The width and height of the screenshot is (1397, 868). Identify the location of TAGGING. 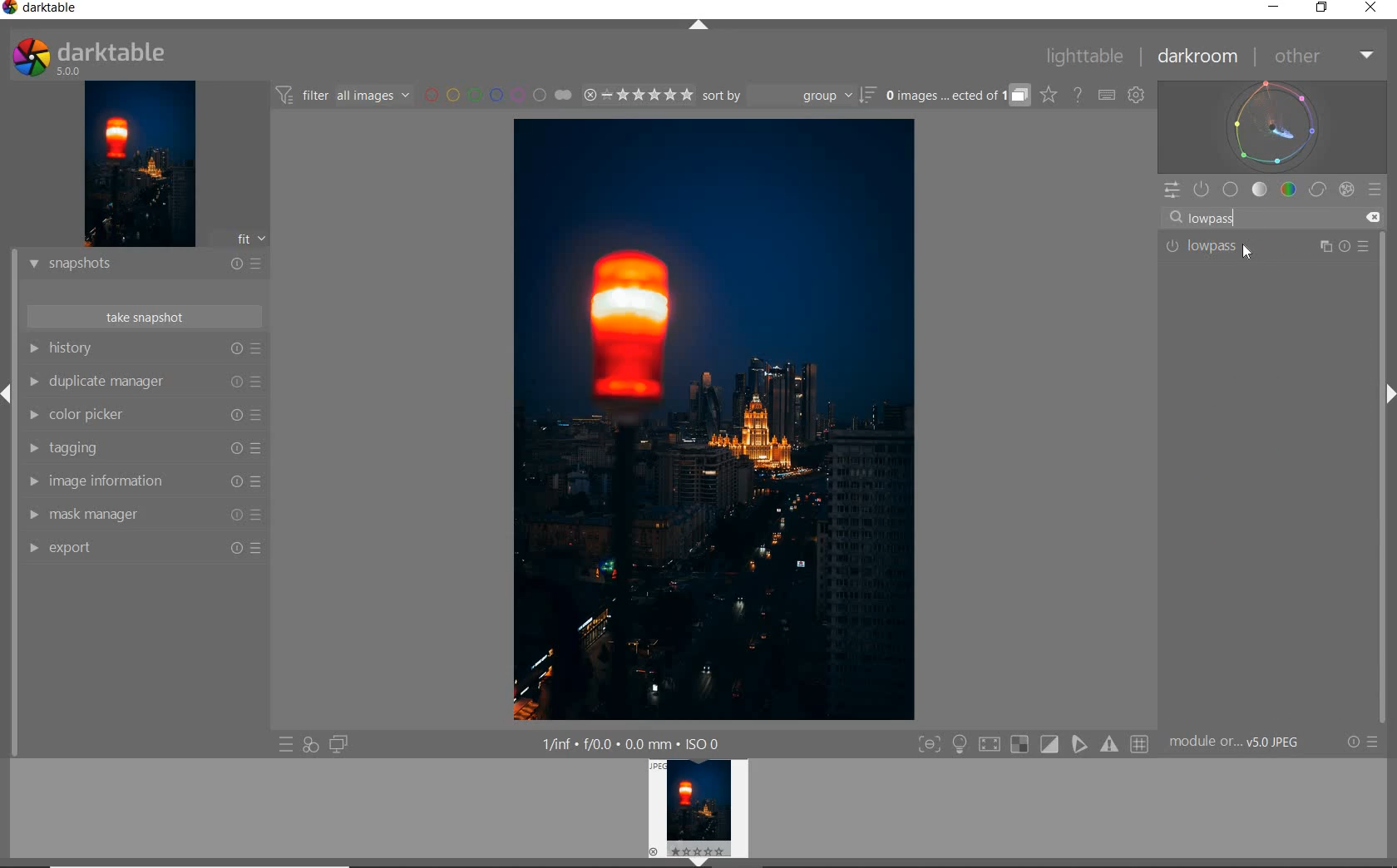
(115, 450).